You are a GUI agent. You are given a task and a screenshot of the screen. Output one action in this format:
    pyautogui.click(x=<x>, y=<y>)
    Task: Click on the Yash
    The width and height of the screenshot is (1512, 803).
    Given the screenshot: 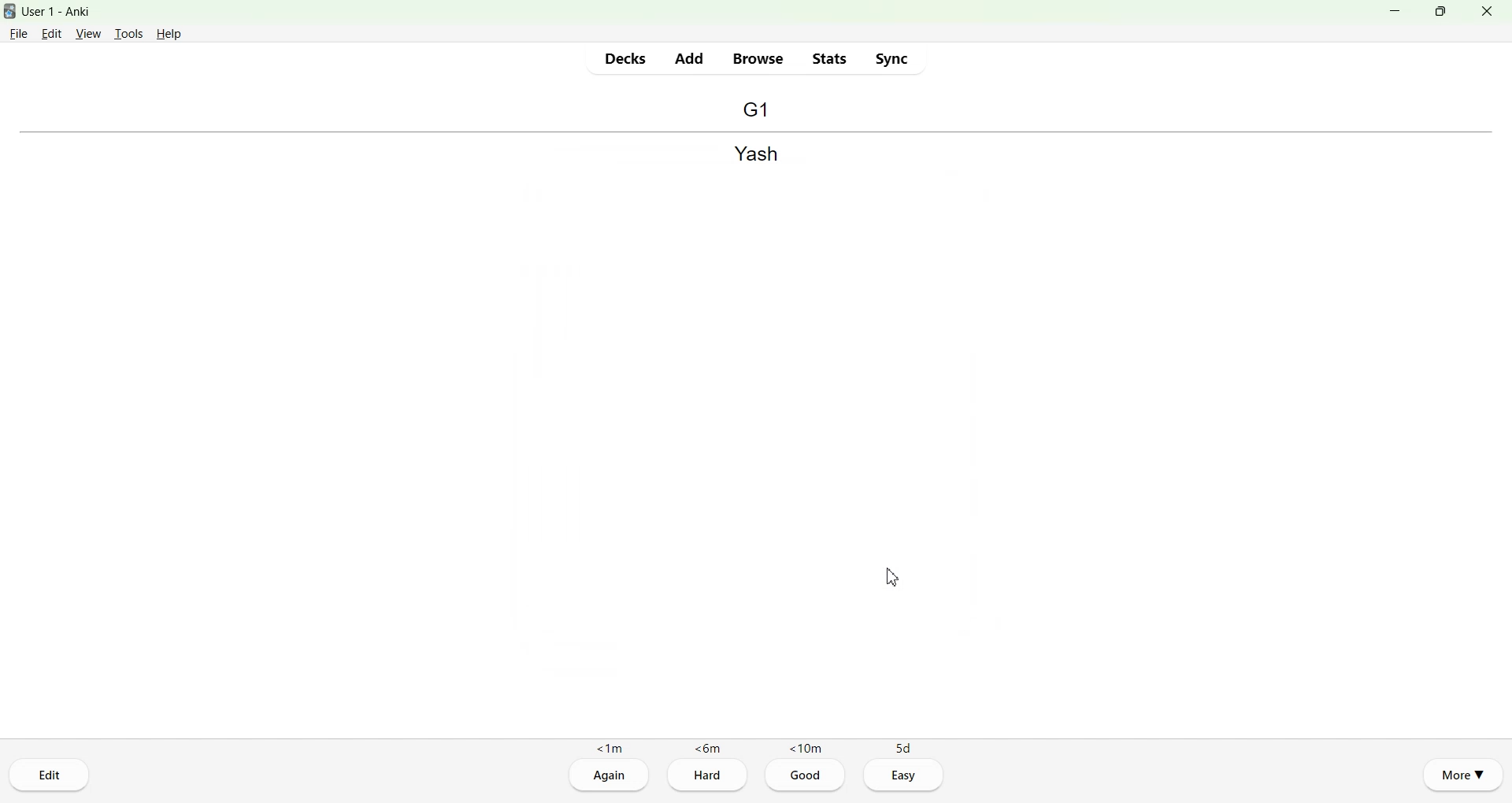 What is the action you would take?
    pyautogui.click(x=756, y=155)
    